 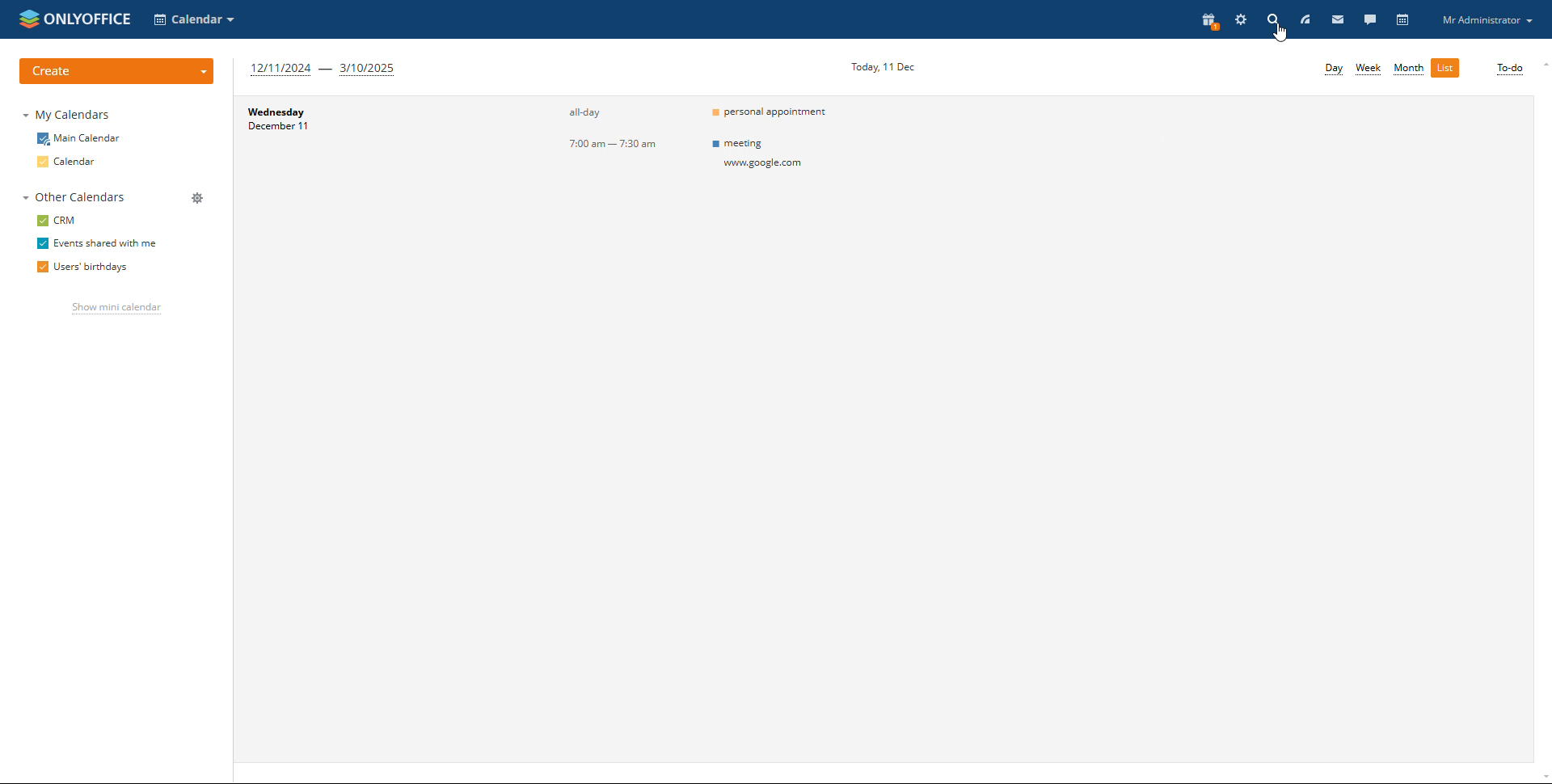 What do you see at coordinates (1272, 19) in the screenshot?
I see `search` at bounding box center [1272, 19].